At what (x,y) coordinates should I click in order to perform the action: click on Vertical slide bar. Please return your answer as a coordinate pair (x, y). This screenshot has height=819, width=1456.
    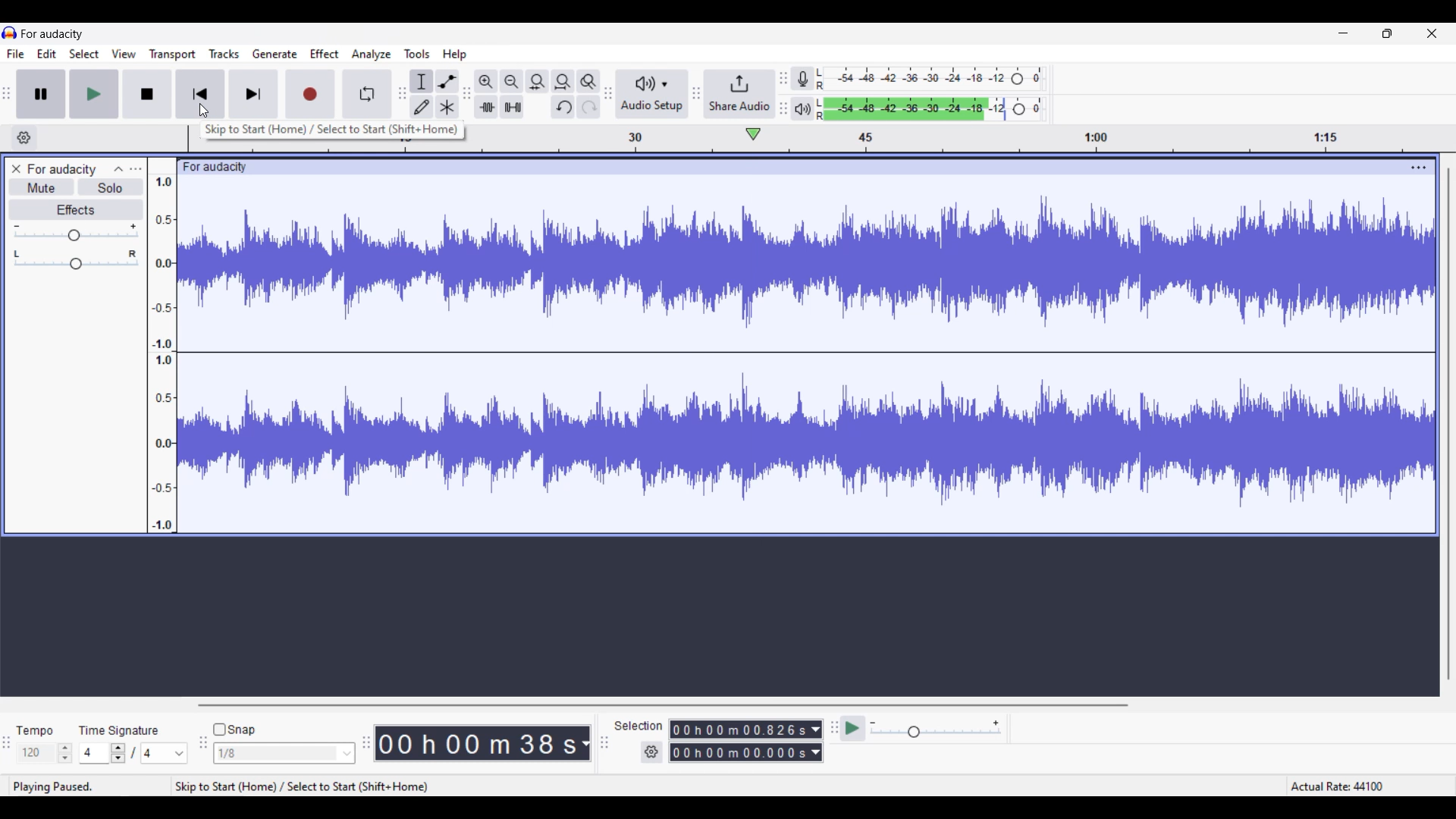
    Looking at the image, I should click on (1449, 425).